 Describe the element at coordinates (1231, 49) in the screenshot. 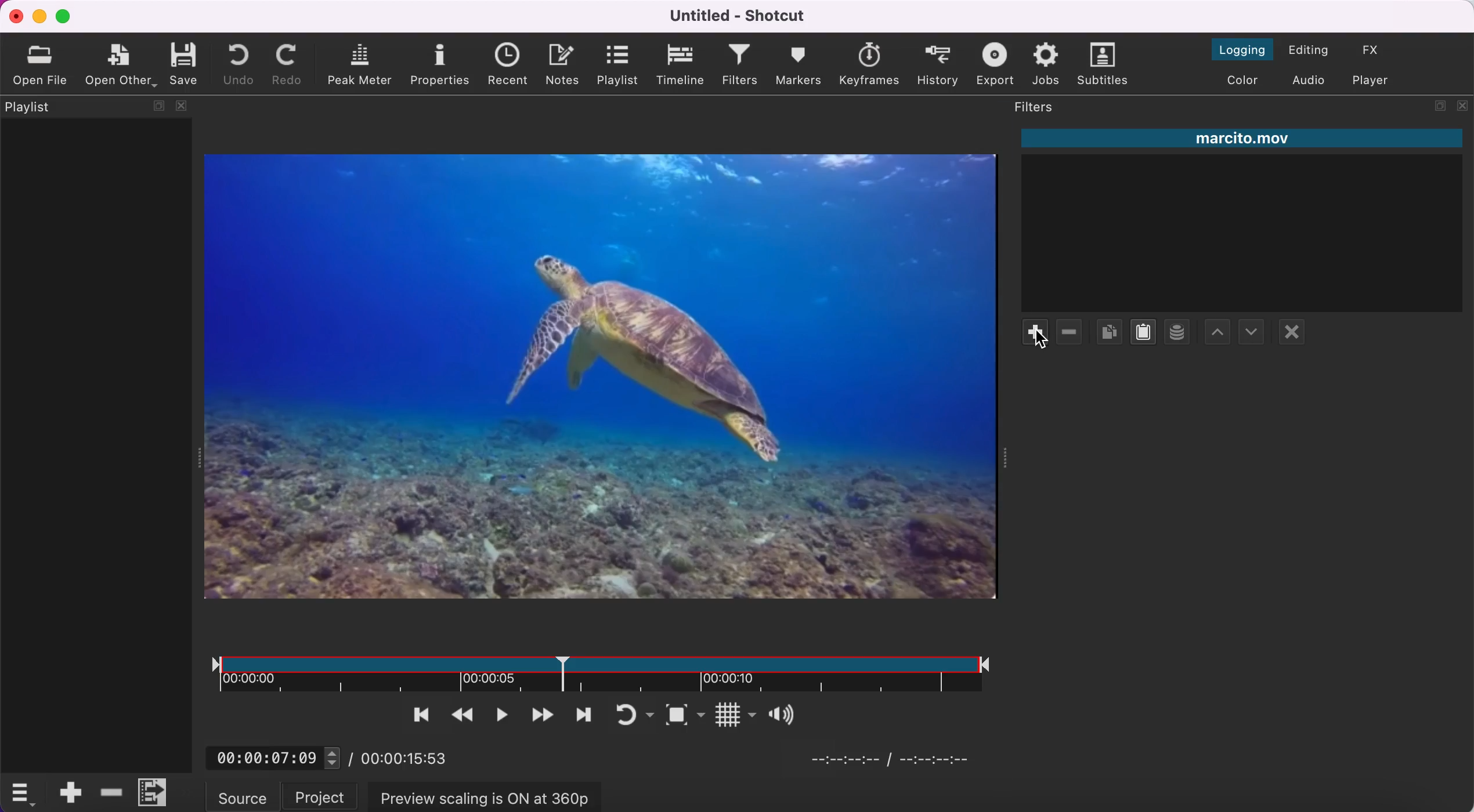

I see `switch to the logging layout` at that location.